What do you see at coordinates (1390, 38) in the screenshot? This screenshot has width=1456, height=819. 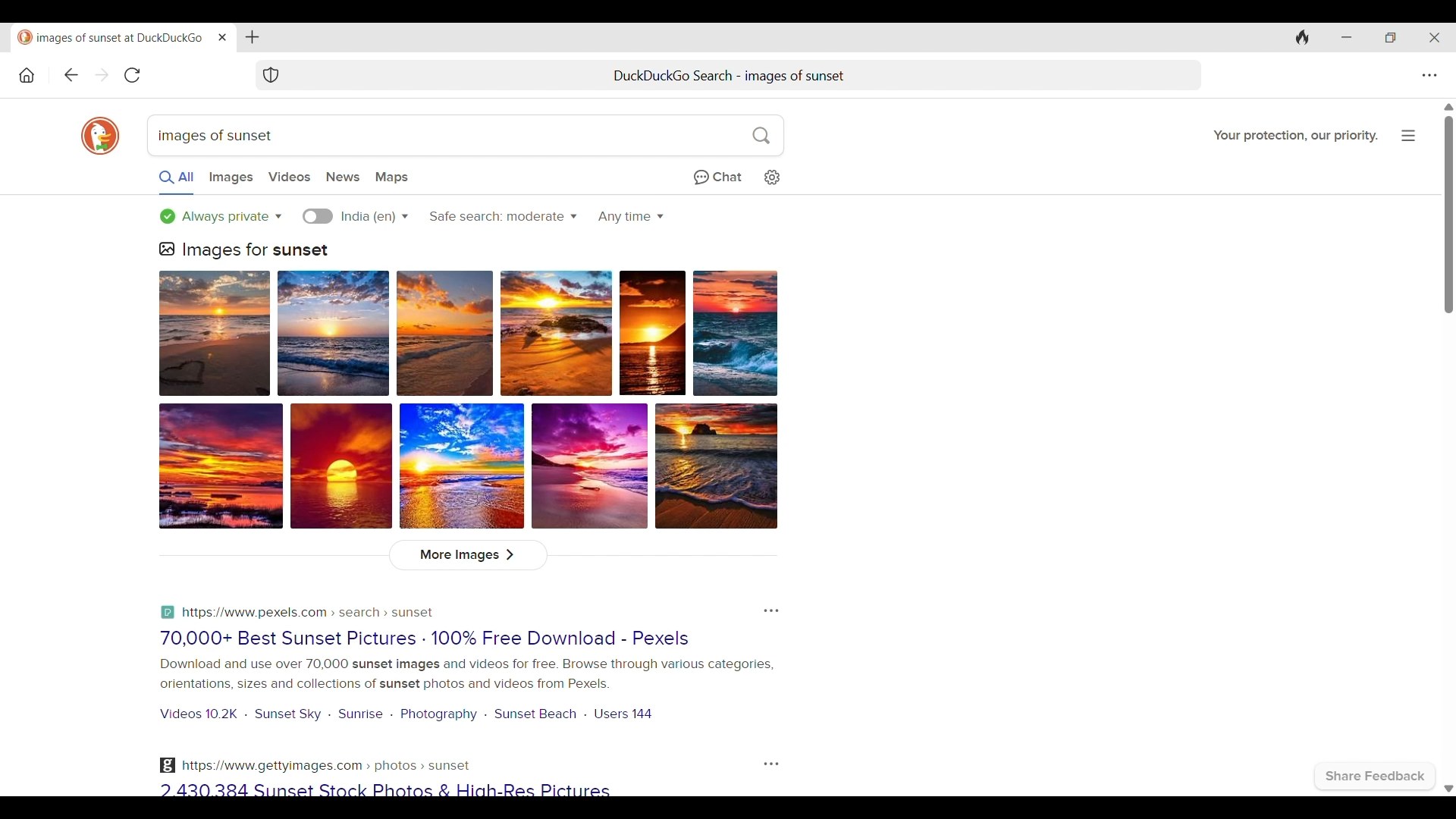 I see `Show interface in a smaller tab` at bounding box center [1390, 38].